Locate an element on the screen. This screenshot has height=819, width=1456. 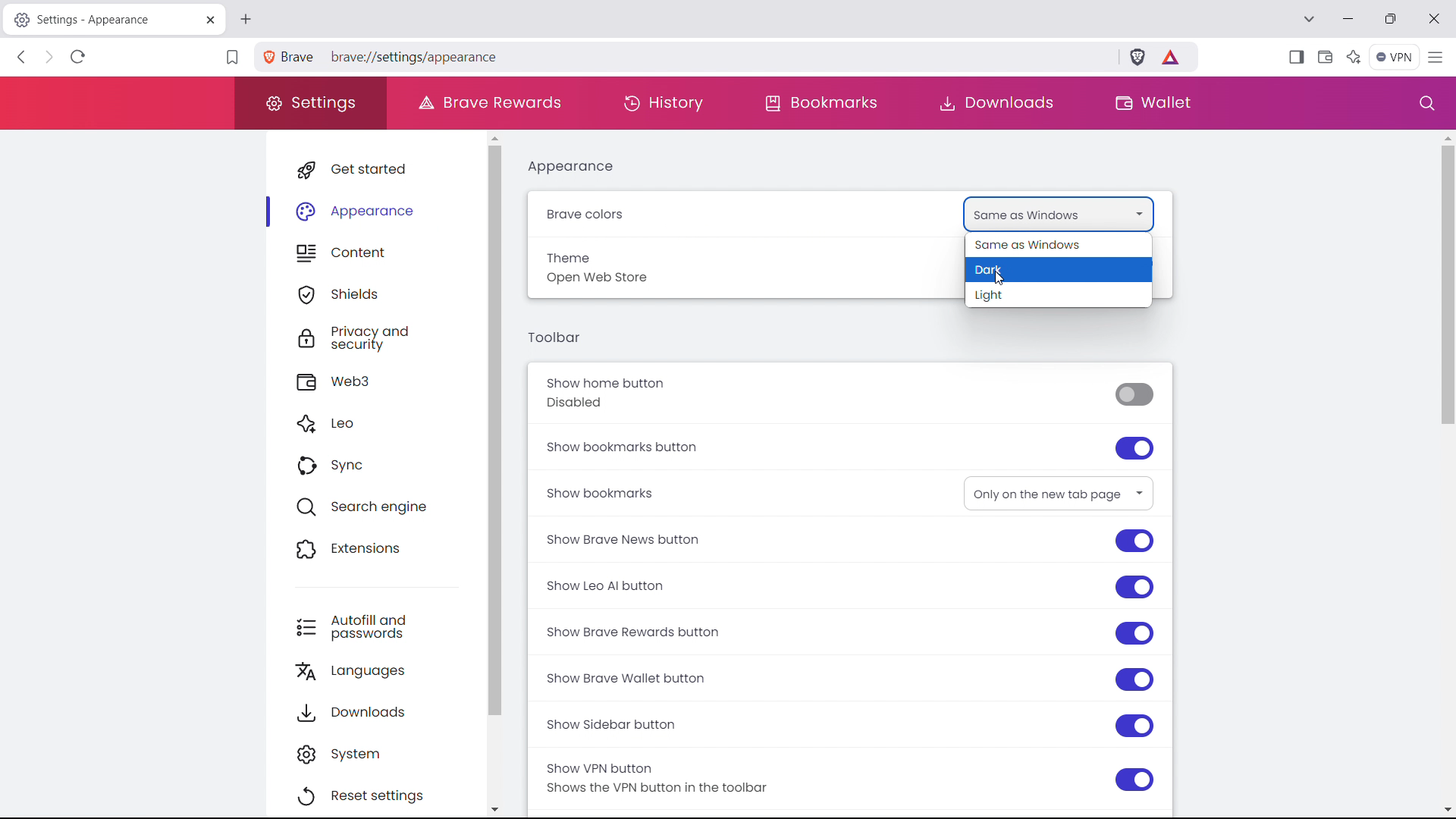
scrollbar is located at coordinates (509, 429).